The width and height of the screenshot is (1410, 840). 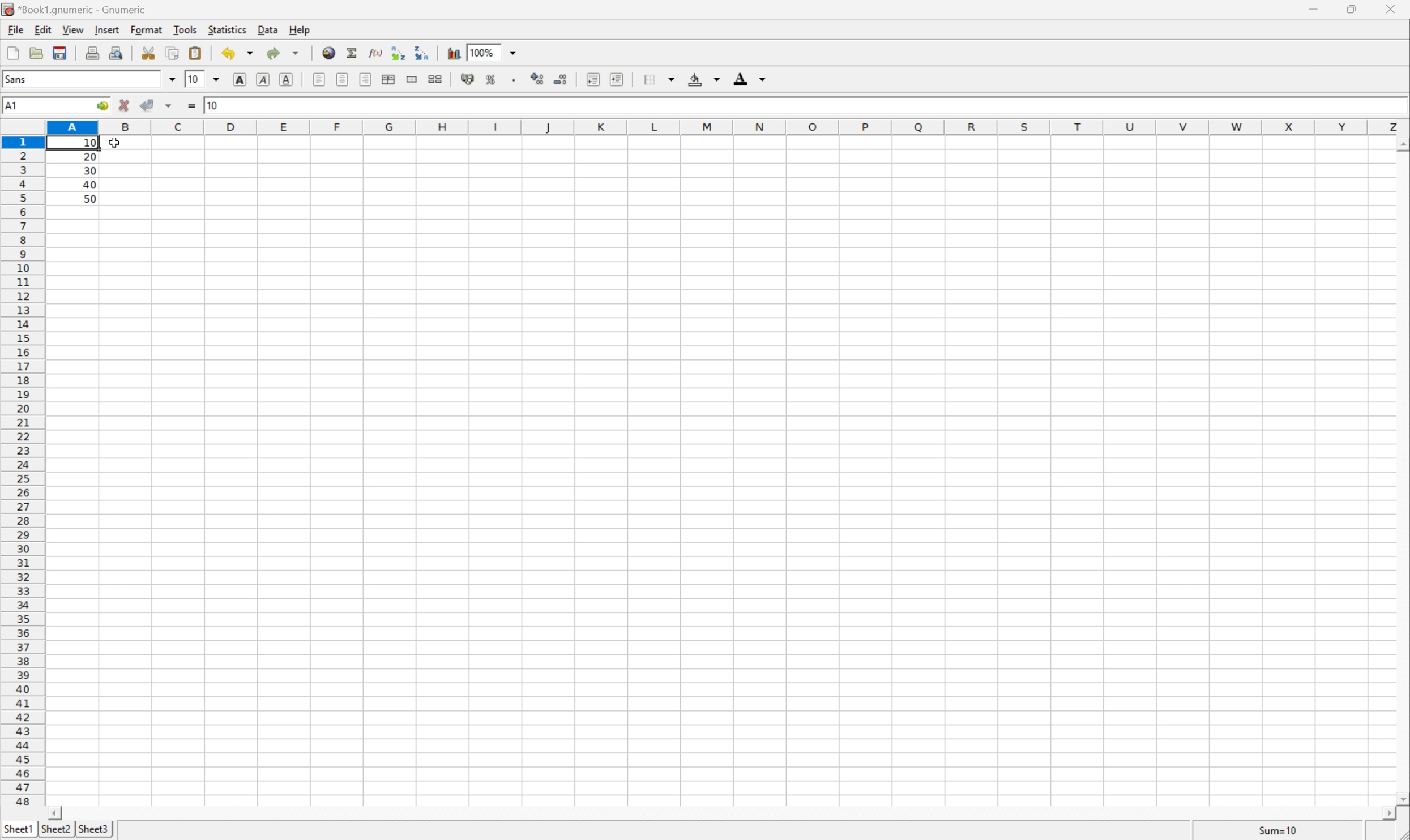 What do you see at coordinates (559, 77) in the screenshot?
I see `Decrease the number of decimals displayed` at bounding box center [559, 77].